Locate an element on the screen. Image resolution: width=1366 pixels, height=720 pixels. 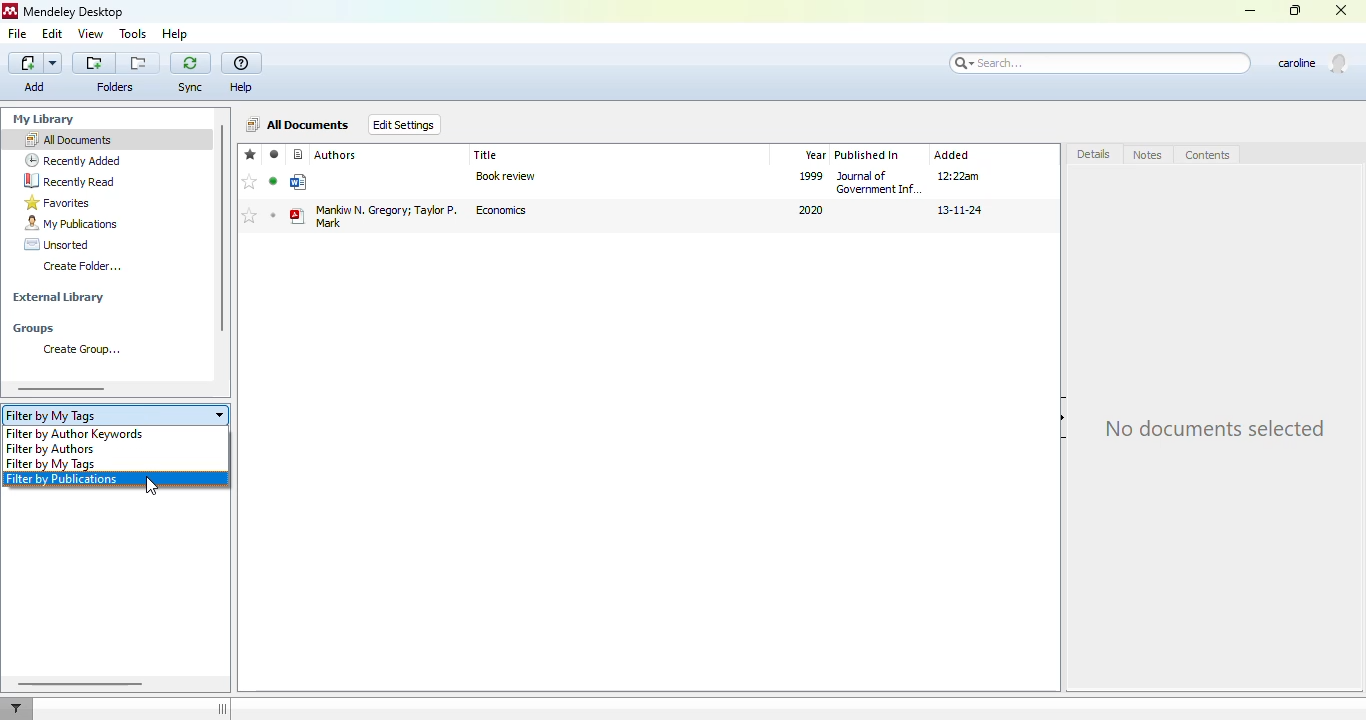
year is located at coordinates (814, 155).